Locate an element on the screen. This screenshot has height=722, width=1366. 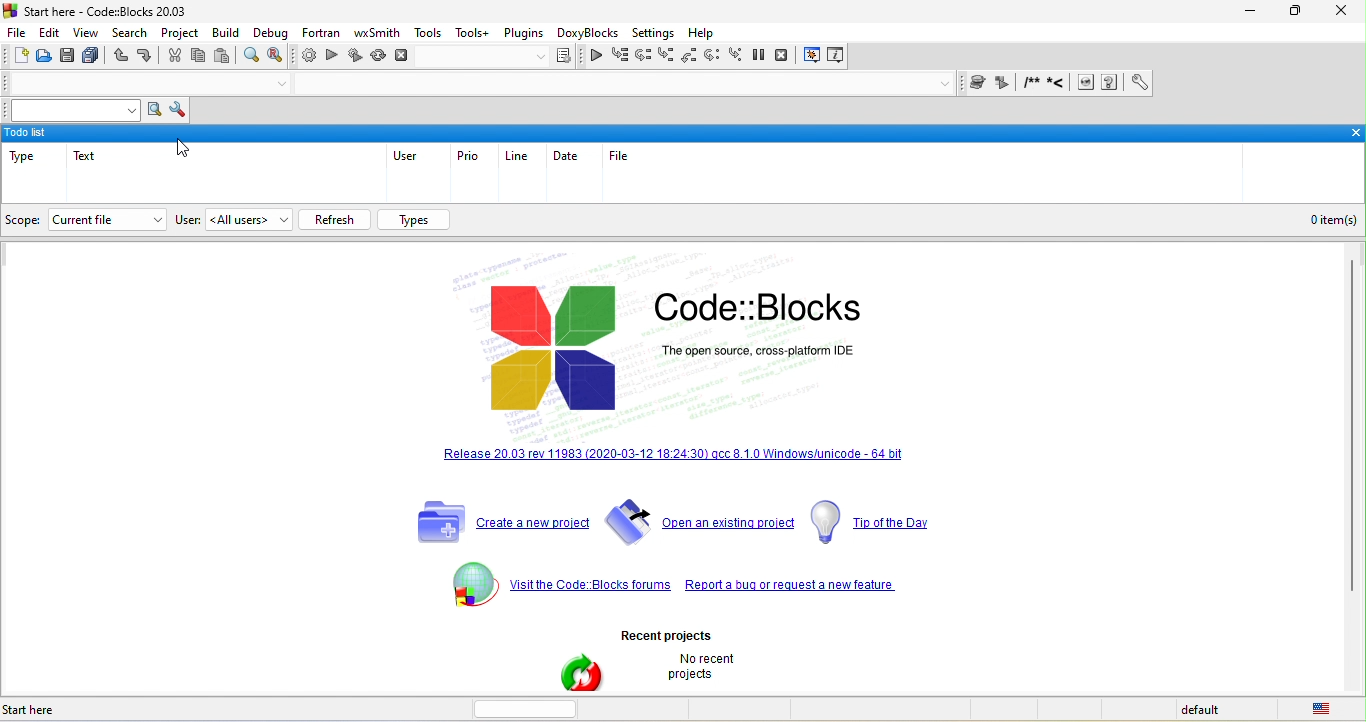
no recent projects  is located at coordinates (705, 671).